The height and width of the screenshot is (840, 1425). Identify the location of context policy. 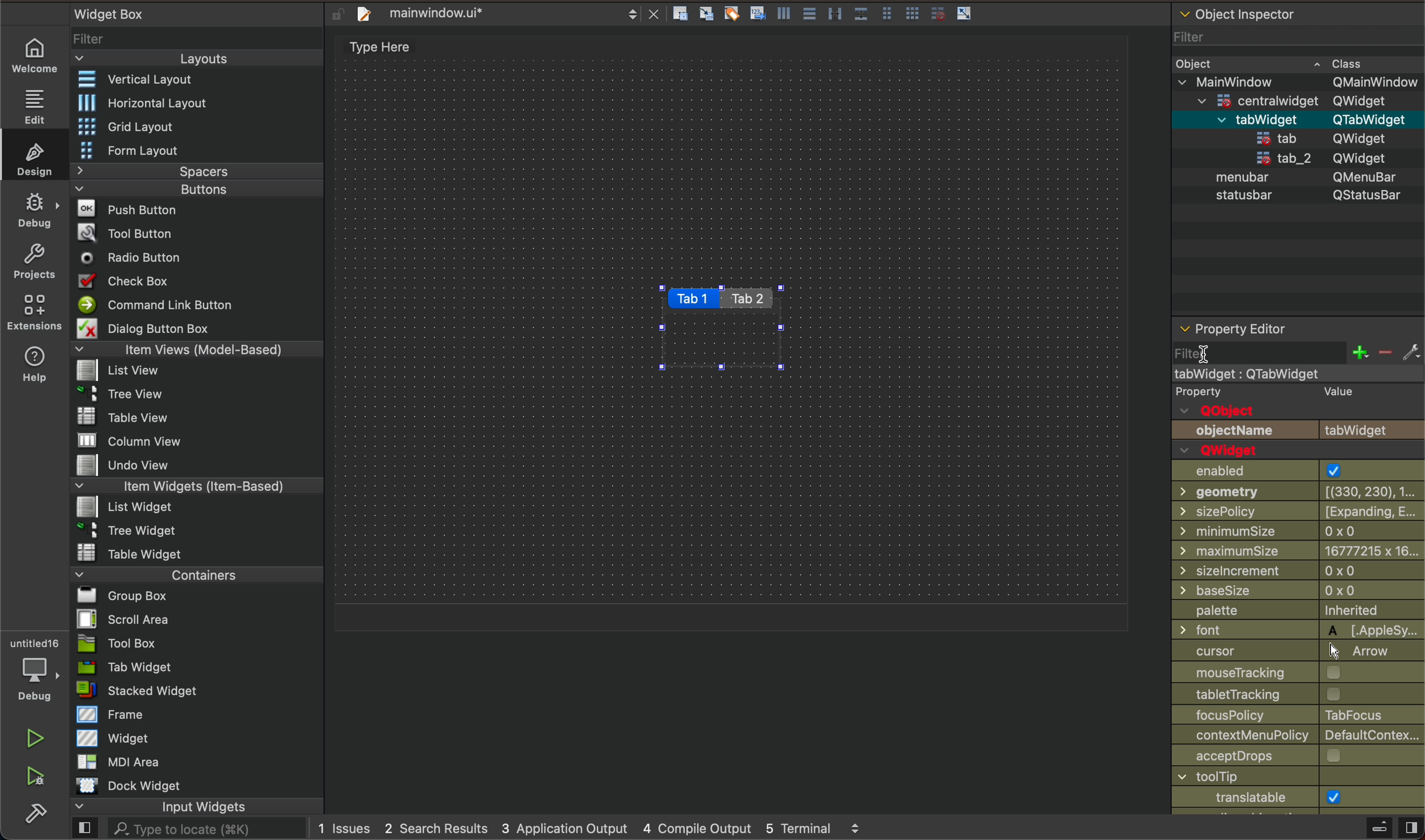
(1298, 735).